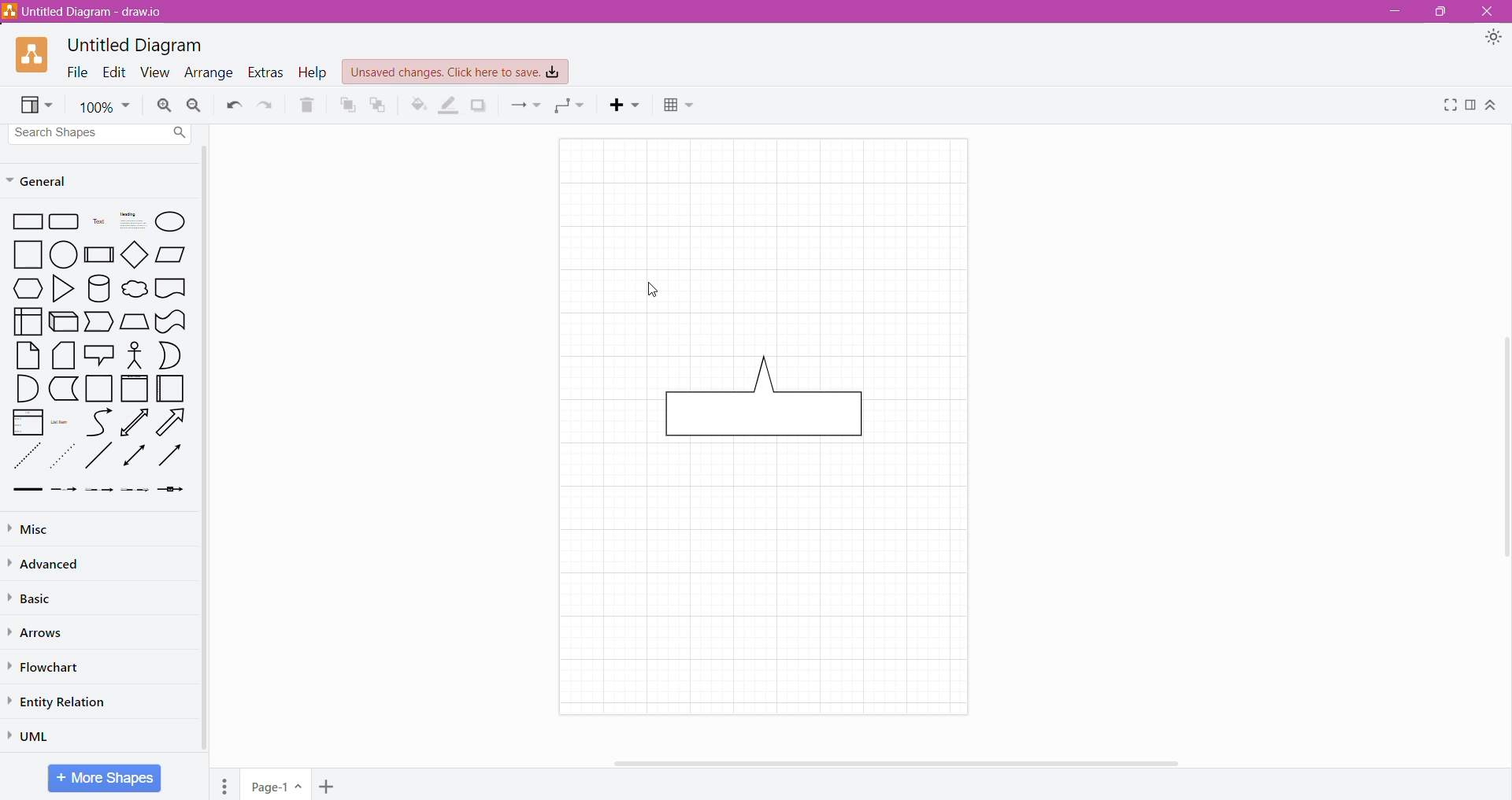  I want to click on Thick line, so click(28, 491).